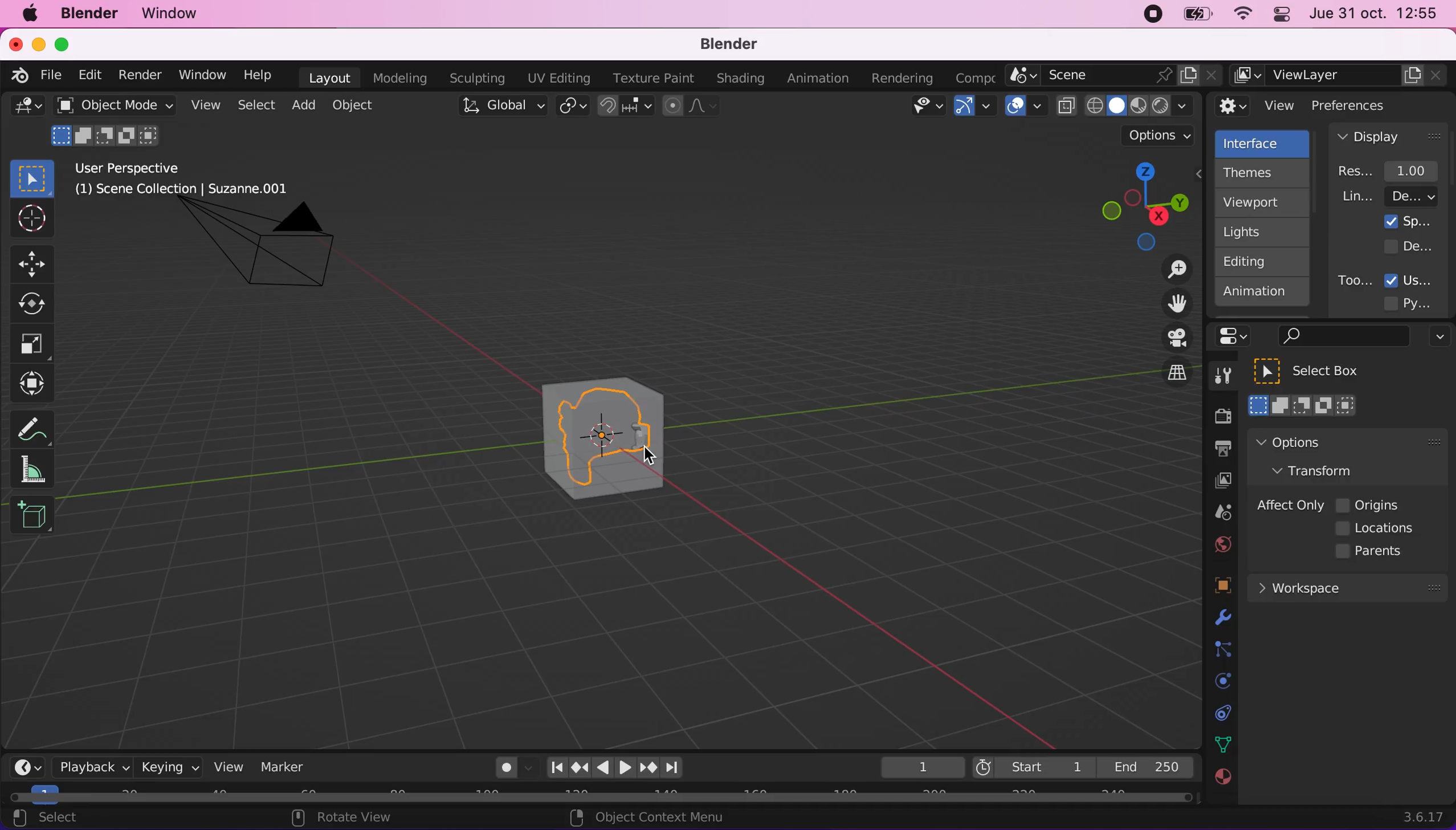  I want to click on view, so click(1256, 106).